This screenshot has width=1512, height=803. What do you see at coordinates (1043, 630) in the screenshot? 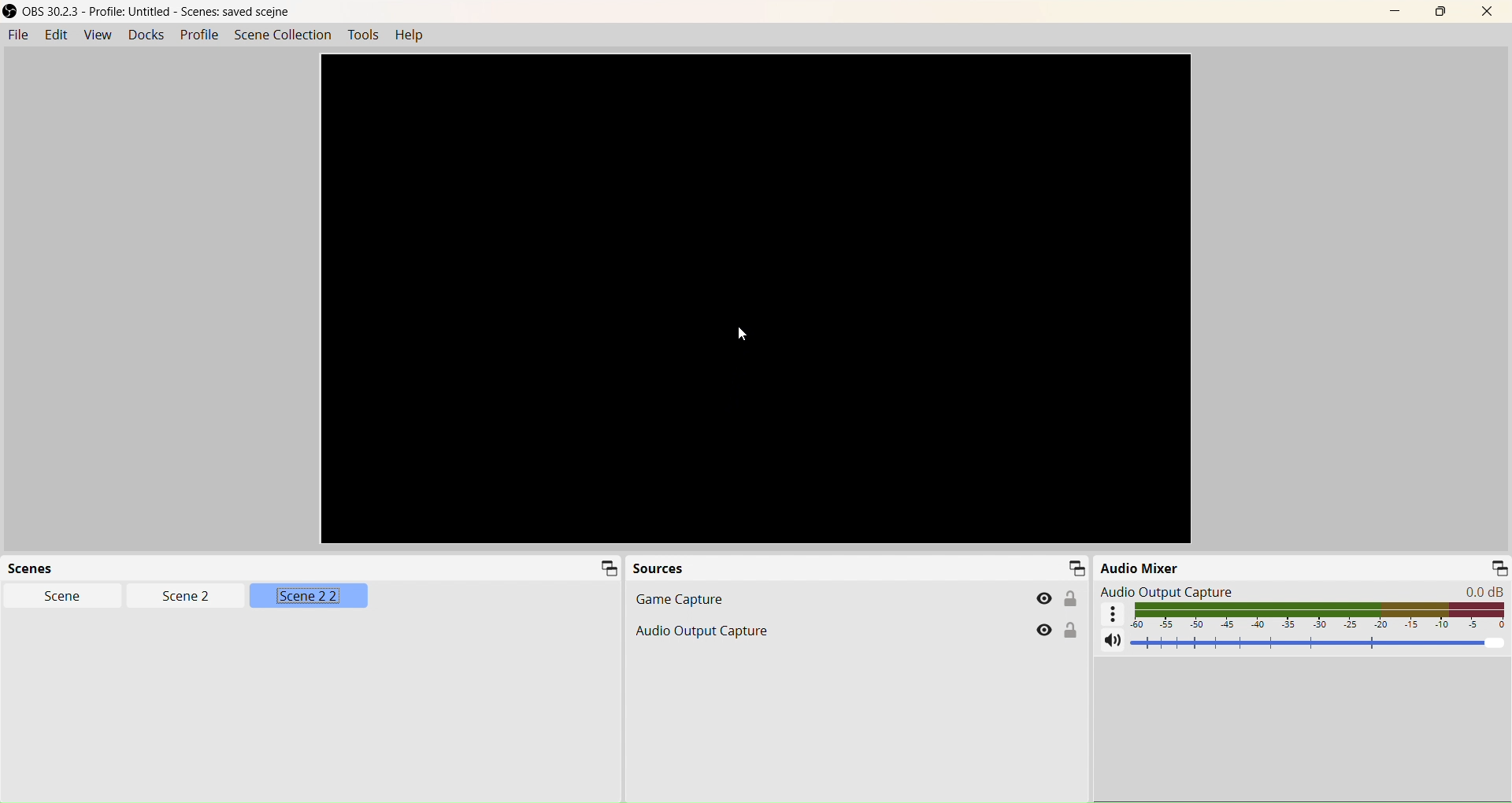
I see `Eye` at bounding box center [1043, 630].